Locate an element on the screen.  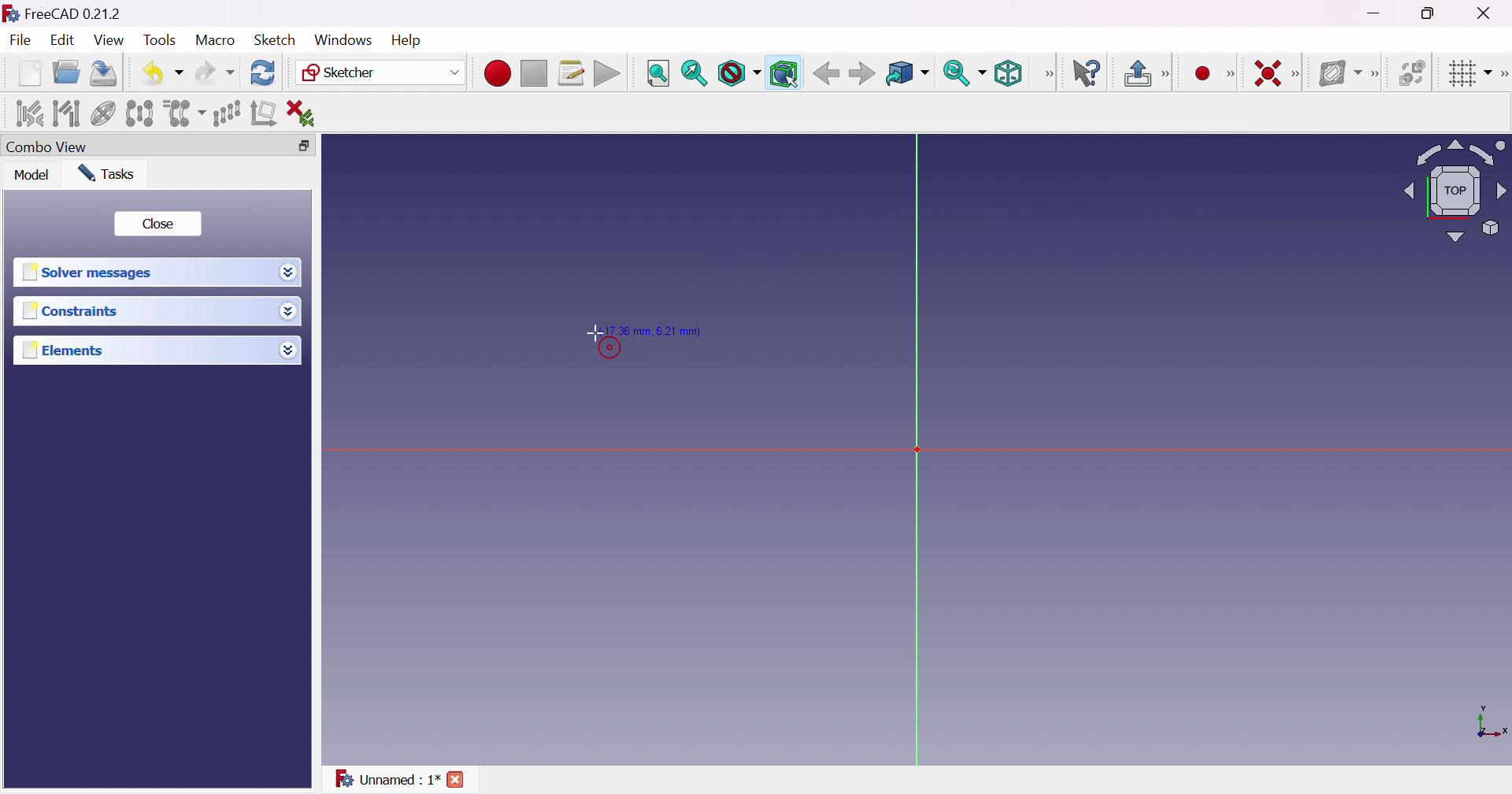
Toggle grid is located at coordinates (1469, 74).